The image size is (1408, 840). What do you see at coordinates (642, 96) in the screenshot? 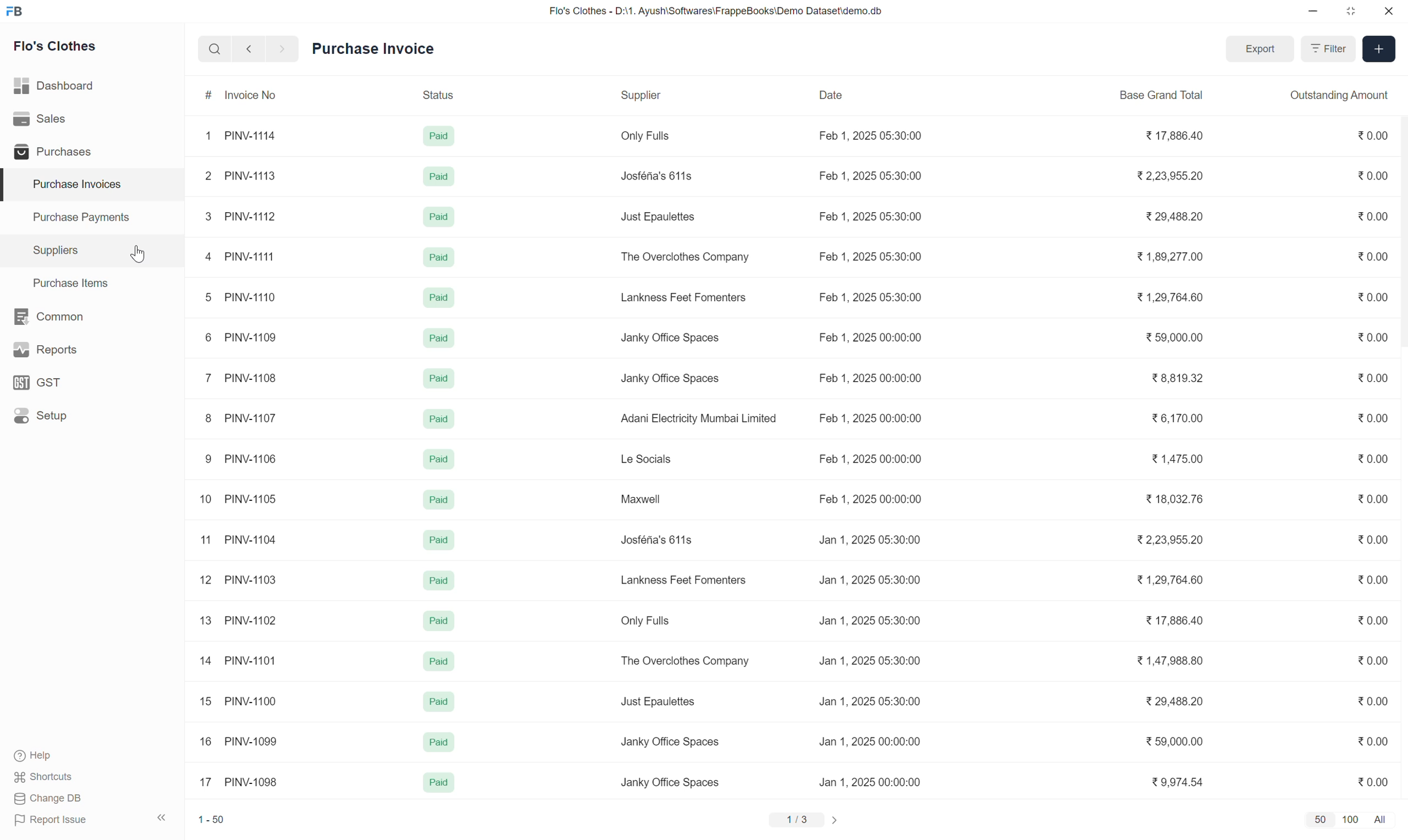
I see `Supplier` at bounding box center [642, 96].